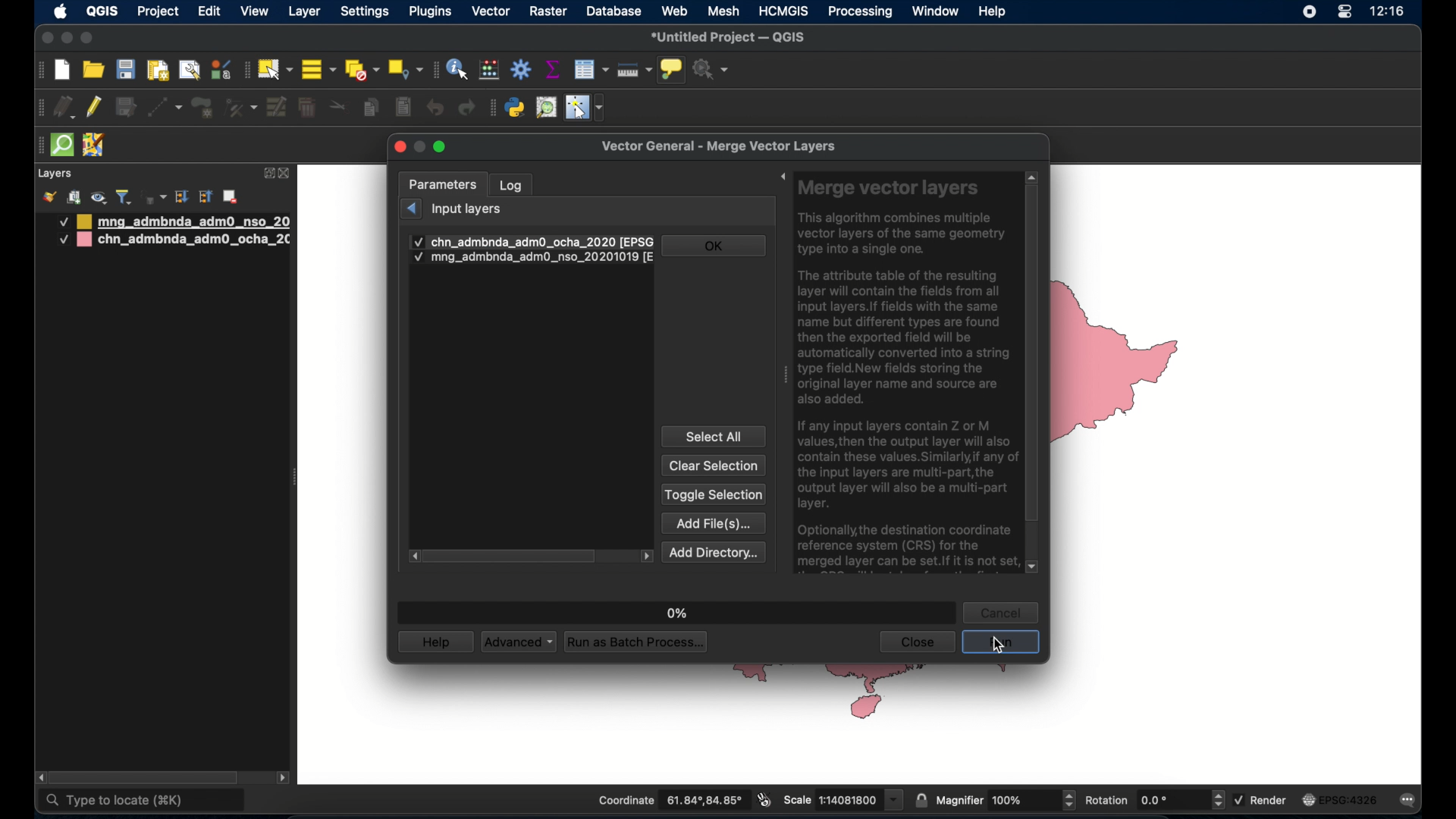 The width and height of the screenshot is (1456, 819). I want to click on save project, so click(125, 71).